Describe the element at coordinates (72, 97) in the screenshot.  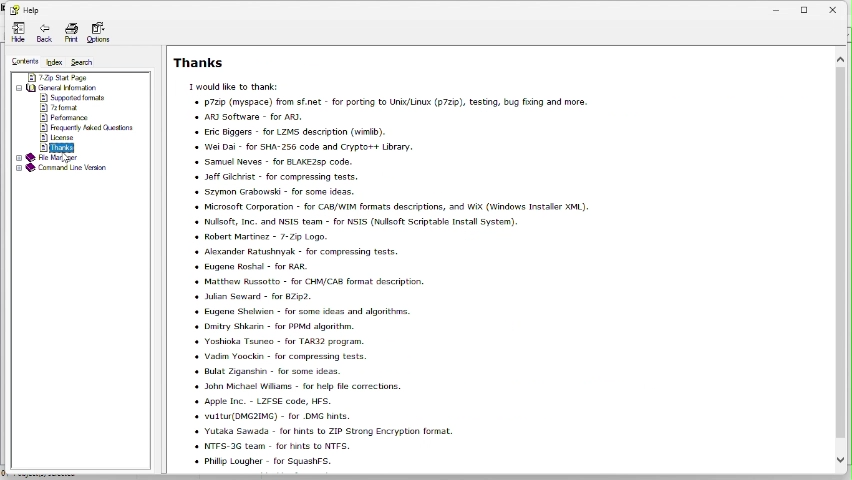
I see `supported formats` at that location.